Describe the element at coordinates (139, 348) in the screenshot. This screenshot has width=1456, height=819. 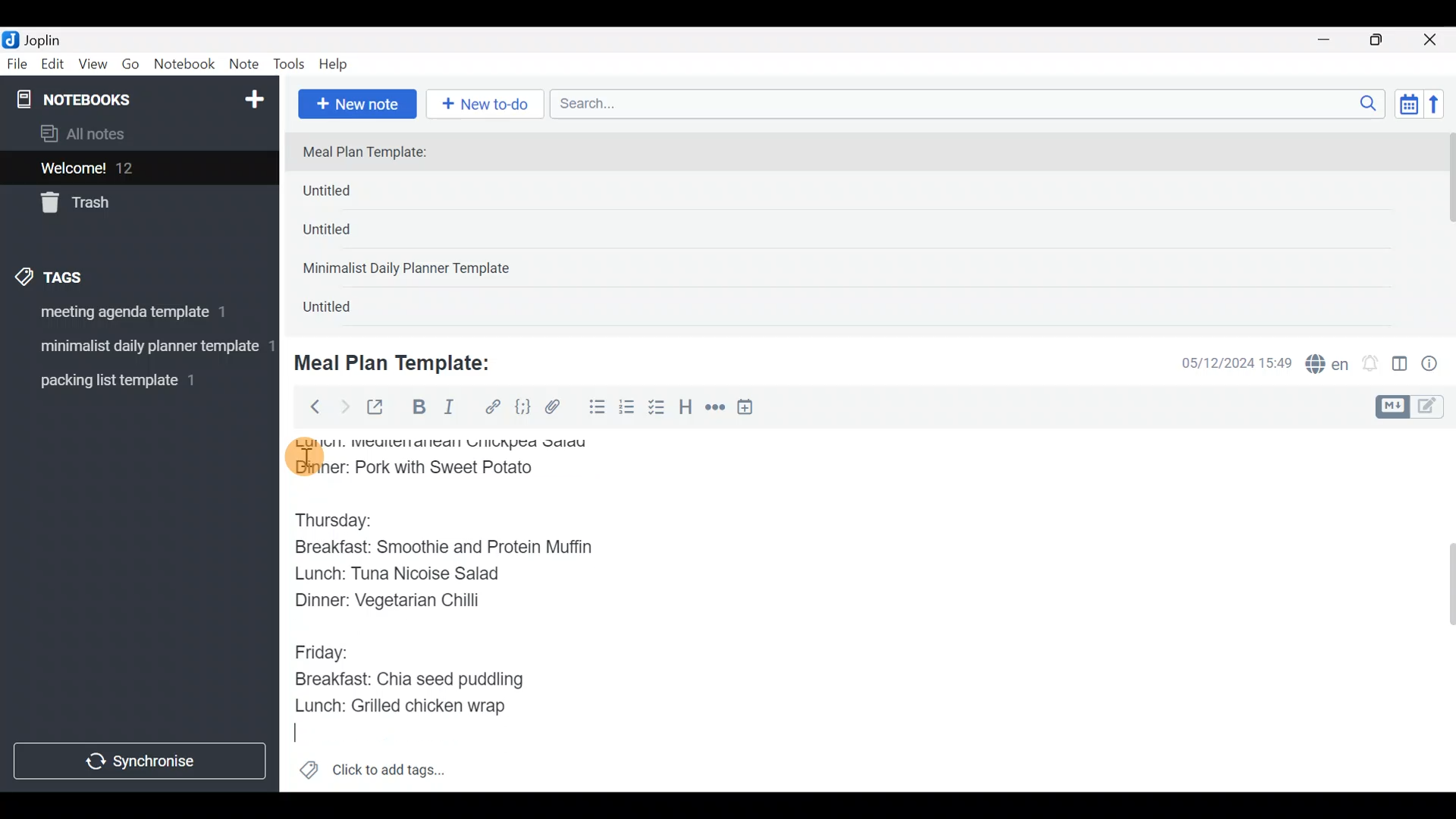
I see `Tag 2` at that location.